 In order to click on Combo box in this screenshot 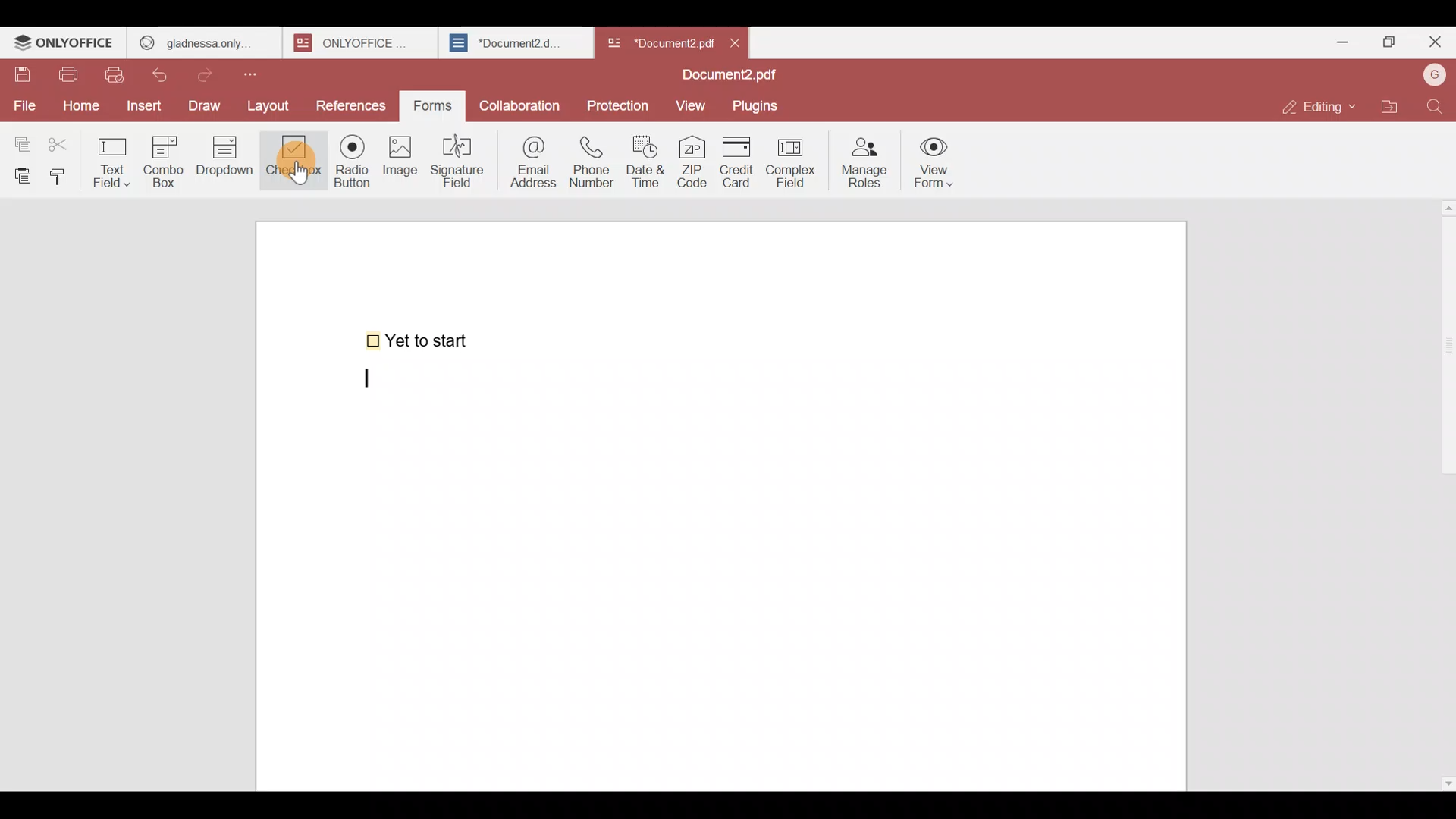, I will do `click(163, 159)`.